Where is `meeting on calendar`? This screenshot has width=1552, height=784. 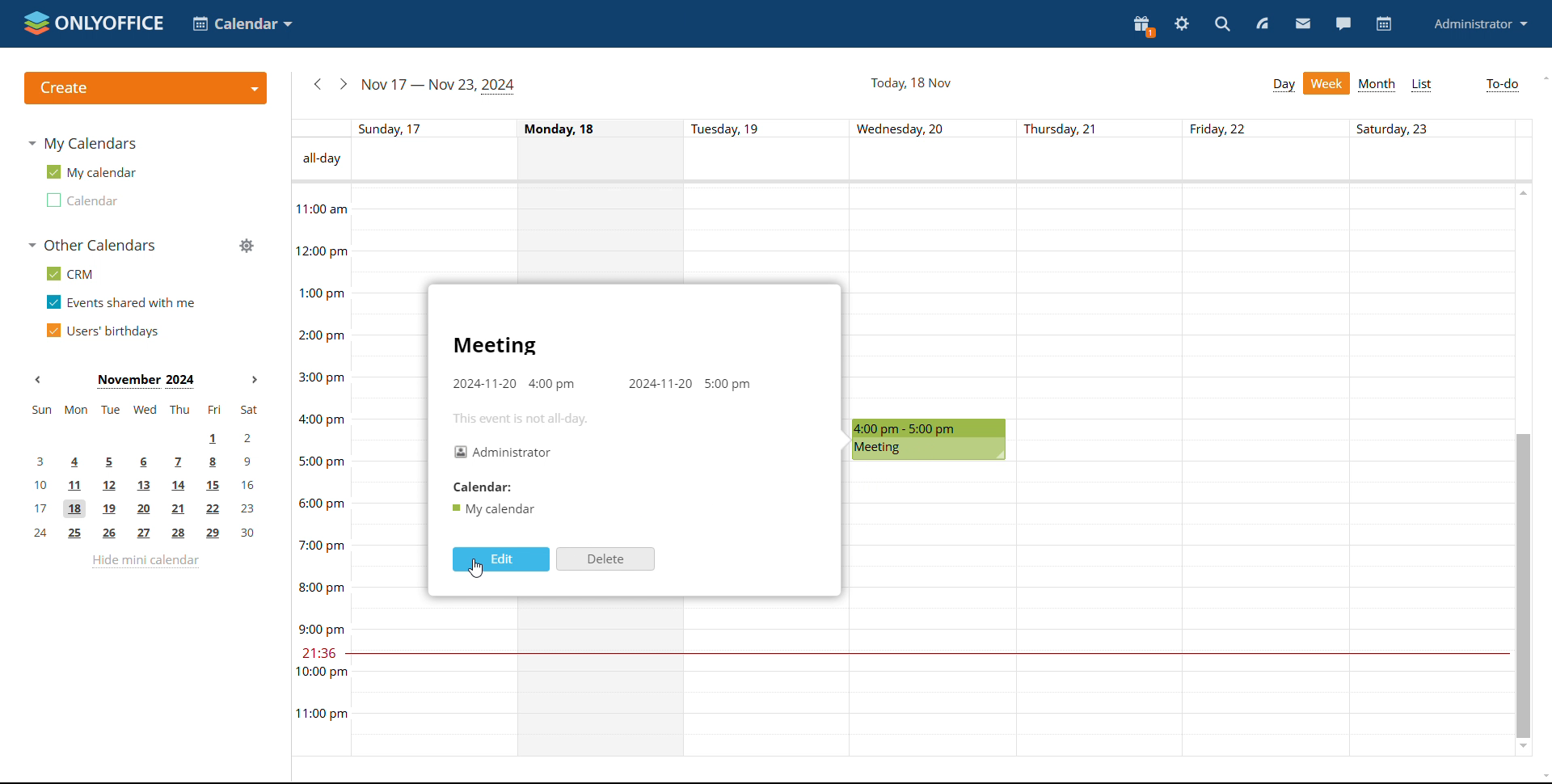
meeting on calendar is located at coordinates (493, 509).